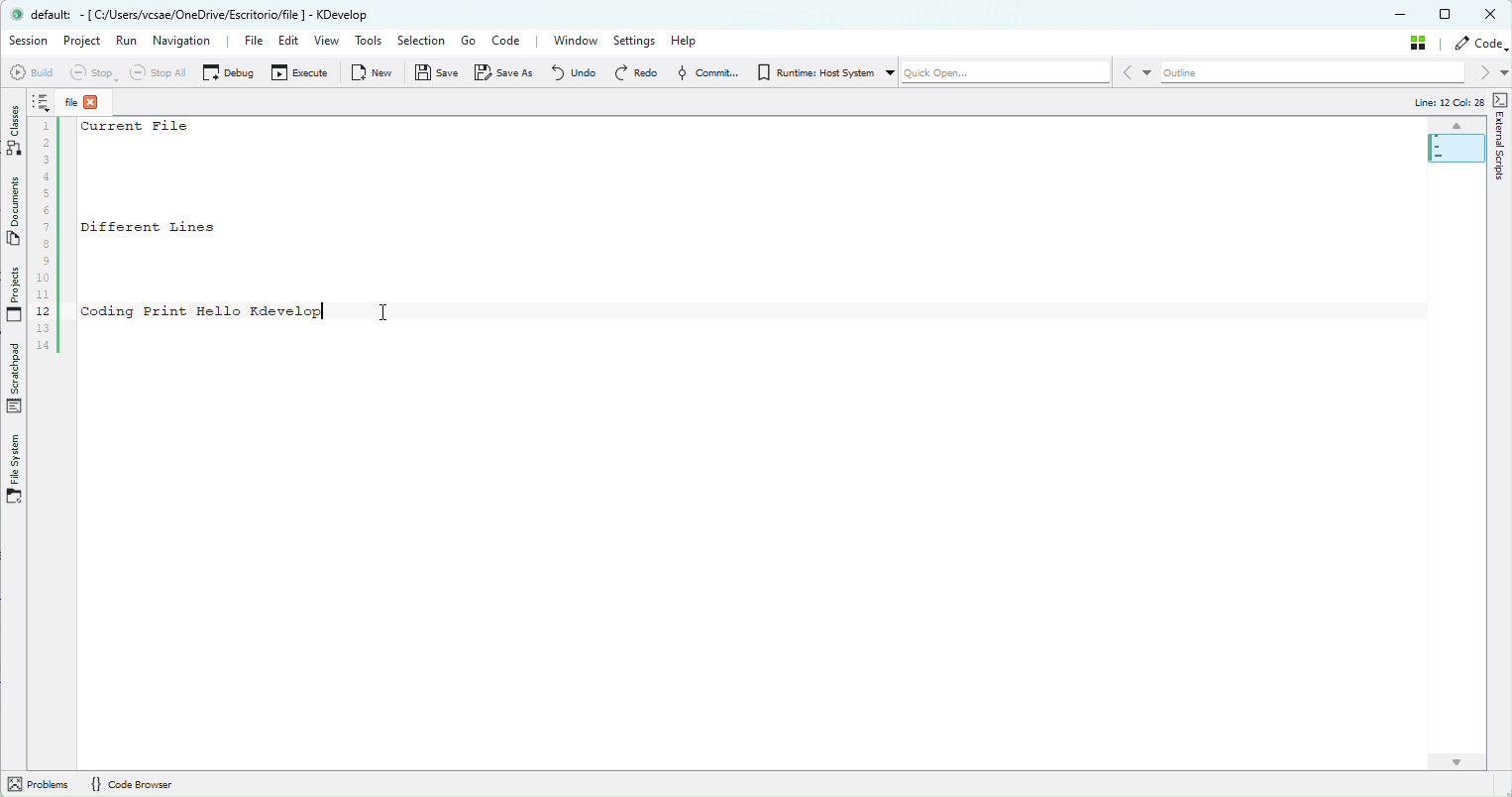 The height and width of the screenshot is (797, 1512). I want to click on New, so click(372, 75).